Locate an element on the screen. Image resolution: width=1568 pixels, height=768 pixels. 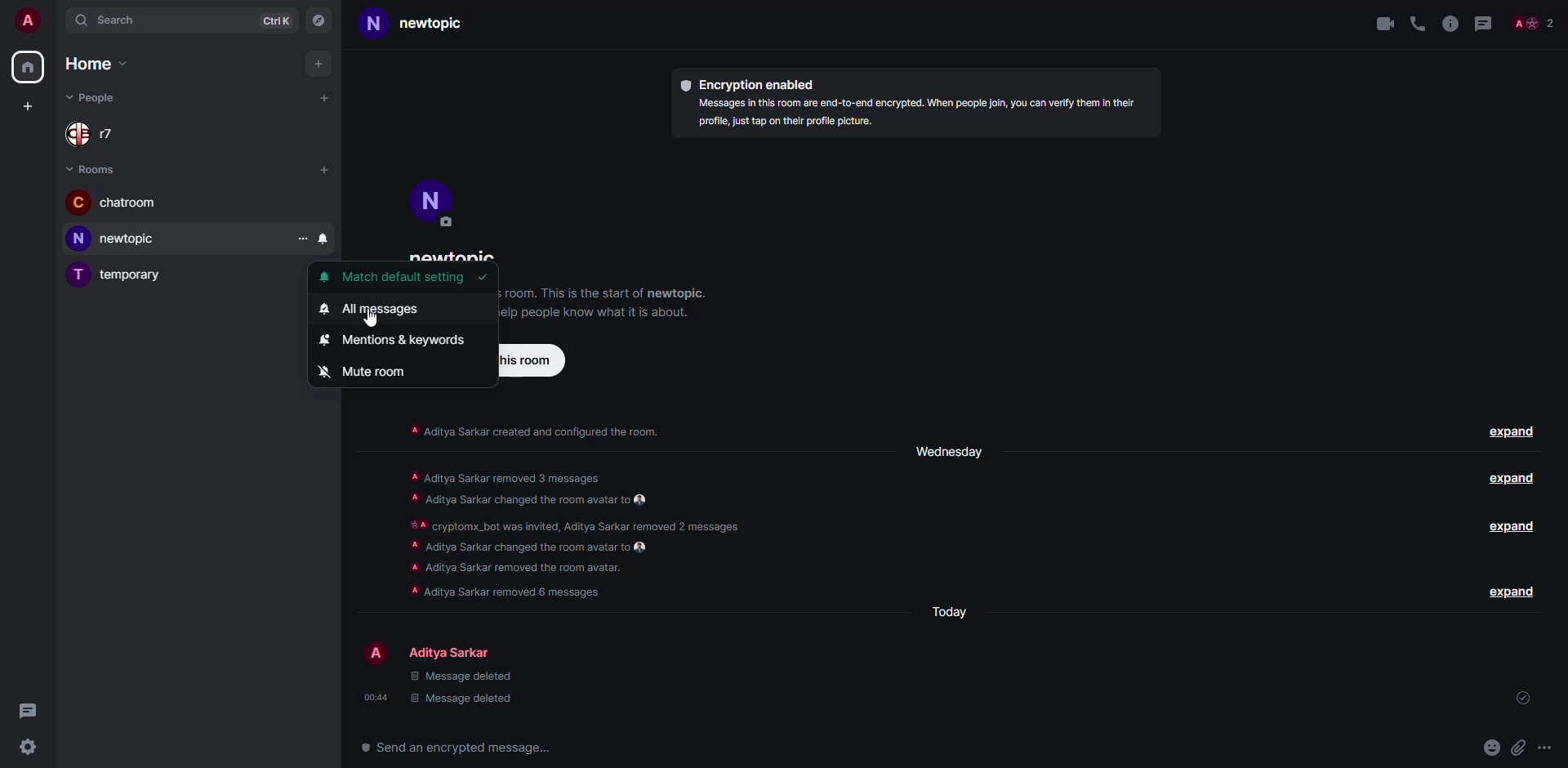
add is located at coordinates (325, 97).